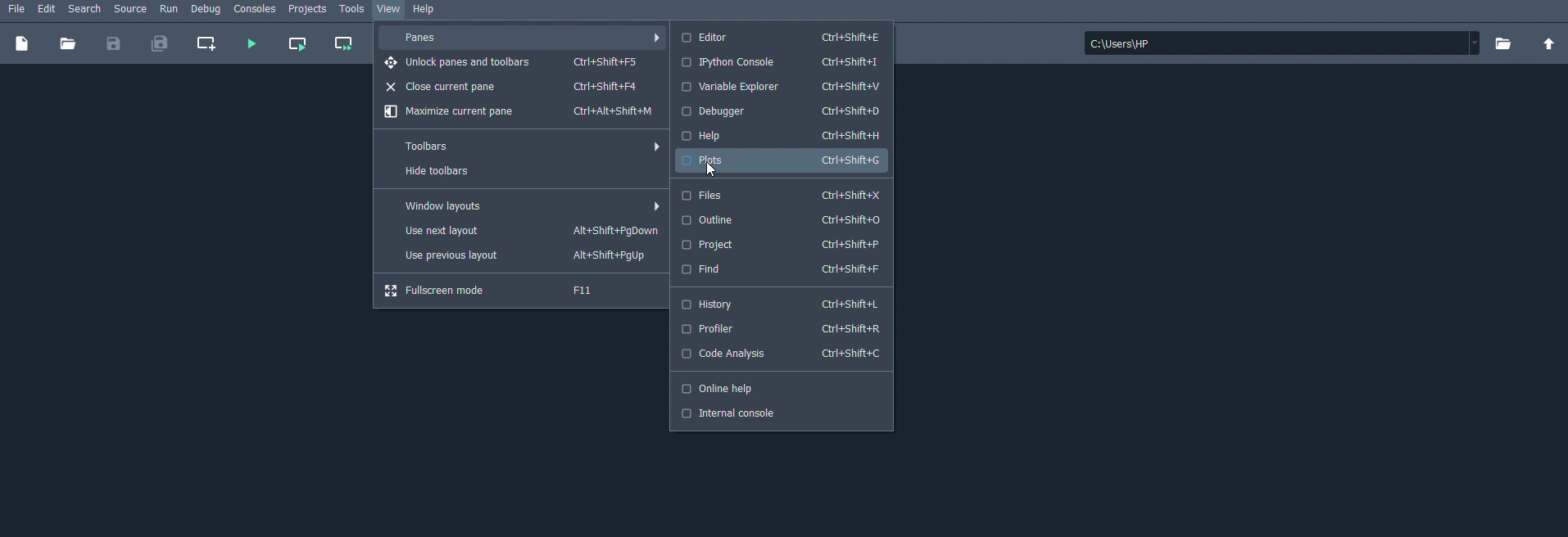 The image size is (1568, 537). Describe the element at coordinates (528, 206) in the screenshot. I see `Window layouts` at that location.